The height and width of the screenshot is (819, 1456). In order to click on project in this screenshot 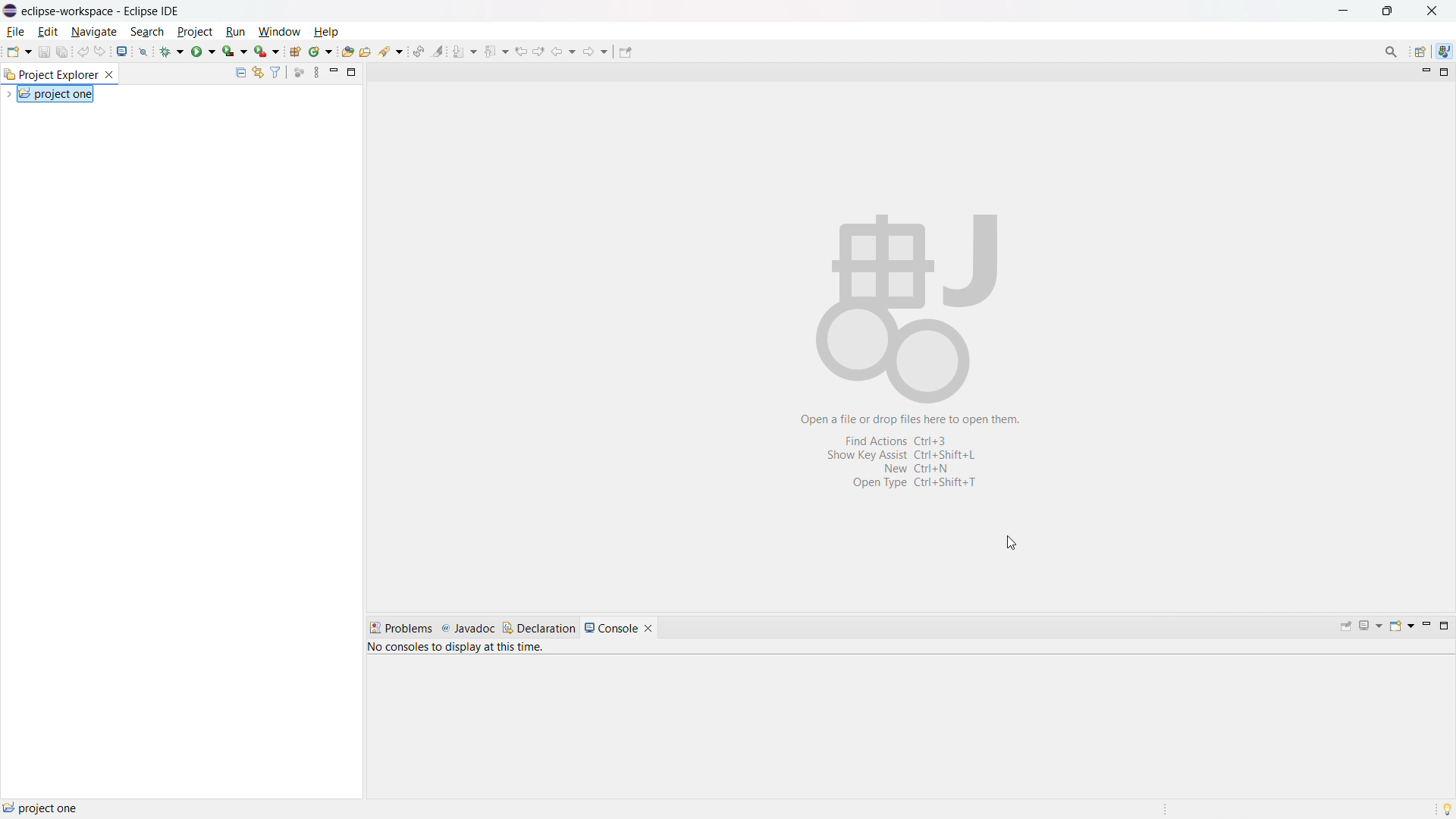, I will do `click(195, 32)`.